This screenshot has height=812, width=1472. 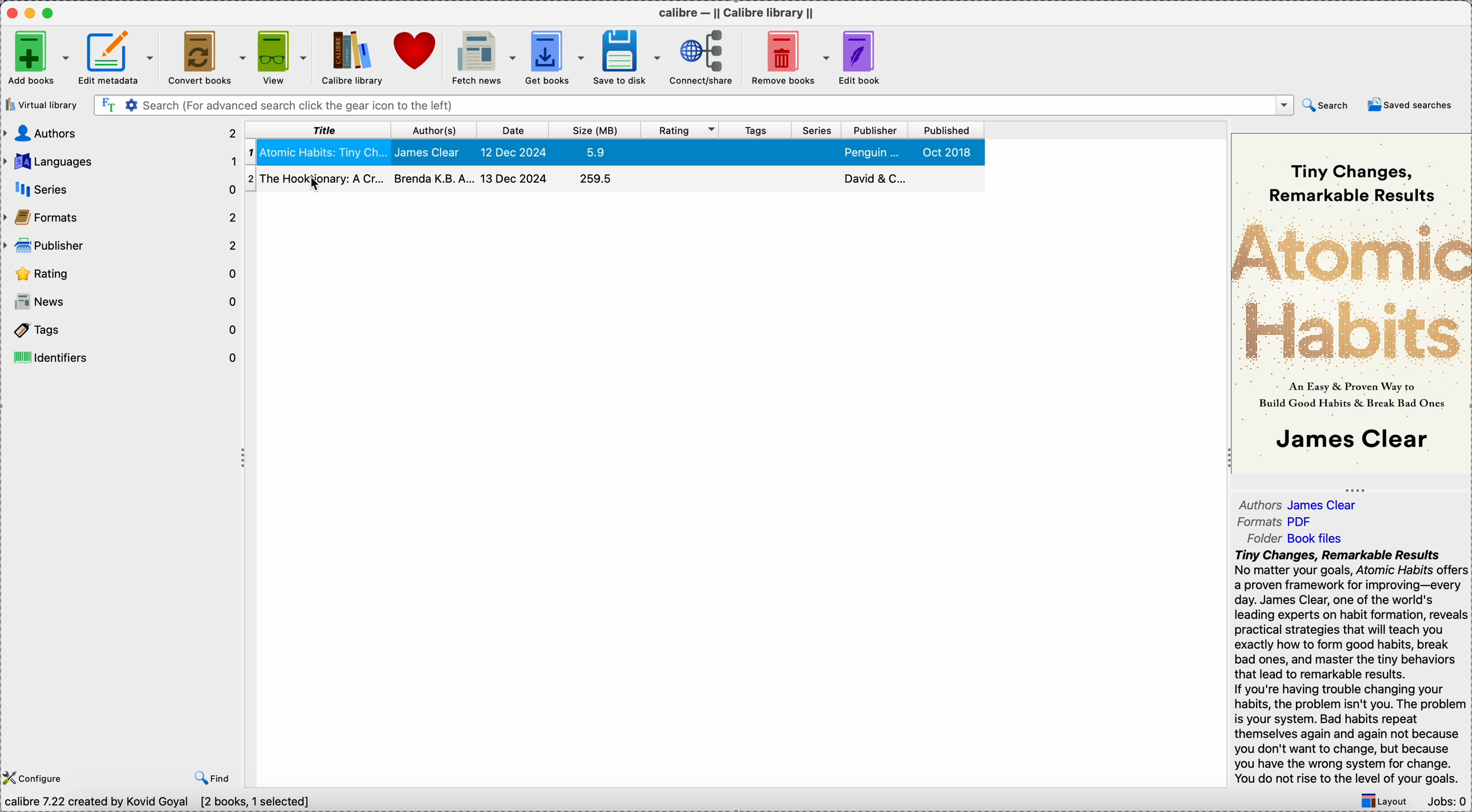 What do you see at coordinates (1407, 106) in the screenshot?
I see `saved searches` at bounding box center [1407, 106].